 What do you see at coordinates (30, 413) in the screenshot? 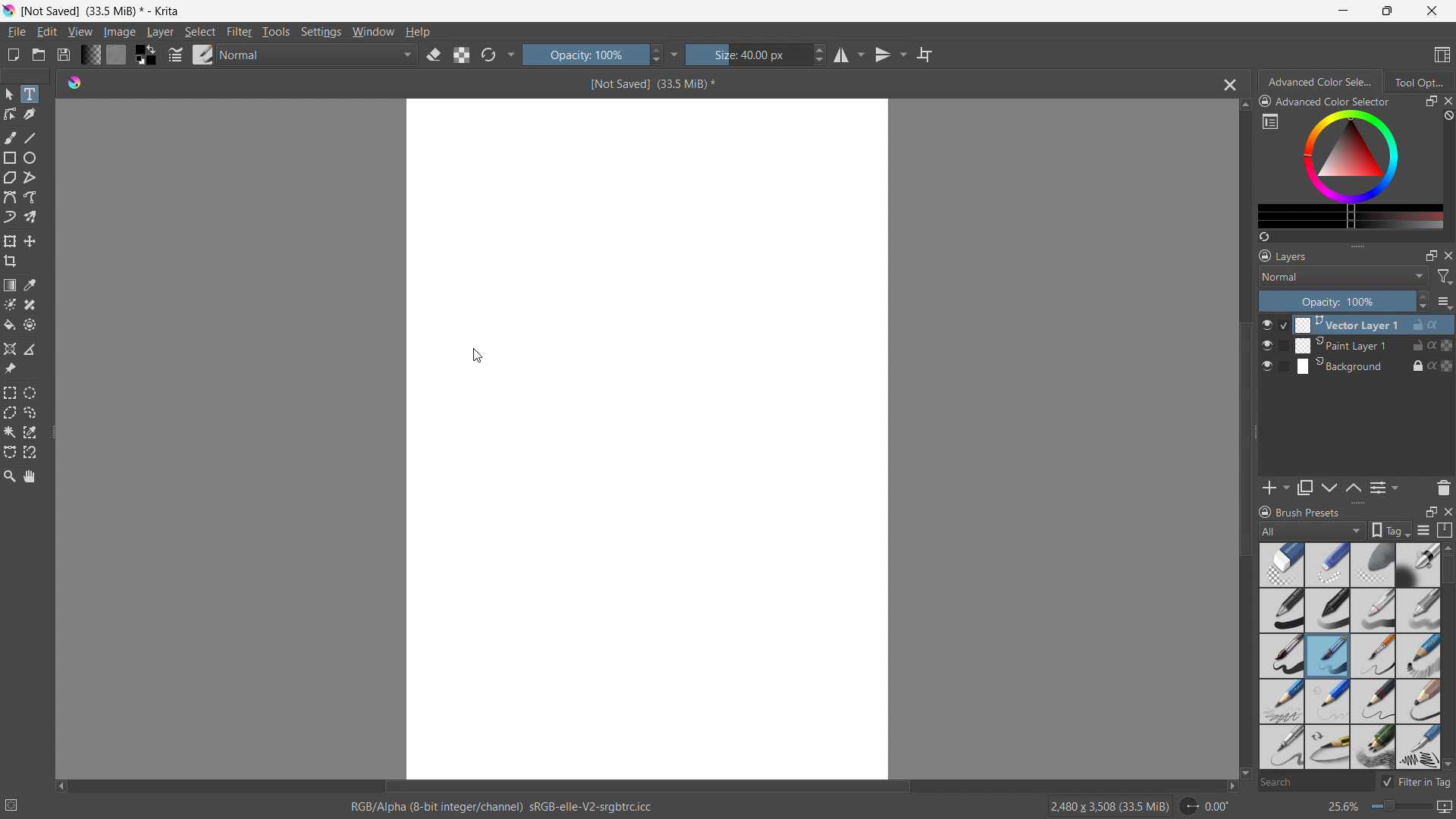
I see `freehand selection tool` at bounding box center [30, 413].